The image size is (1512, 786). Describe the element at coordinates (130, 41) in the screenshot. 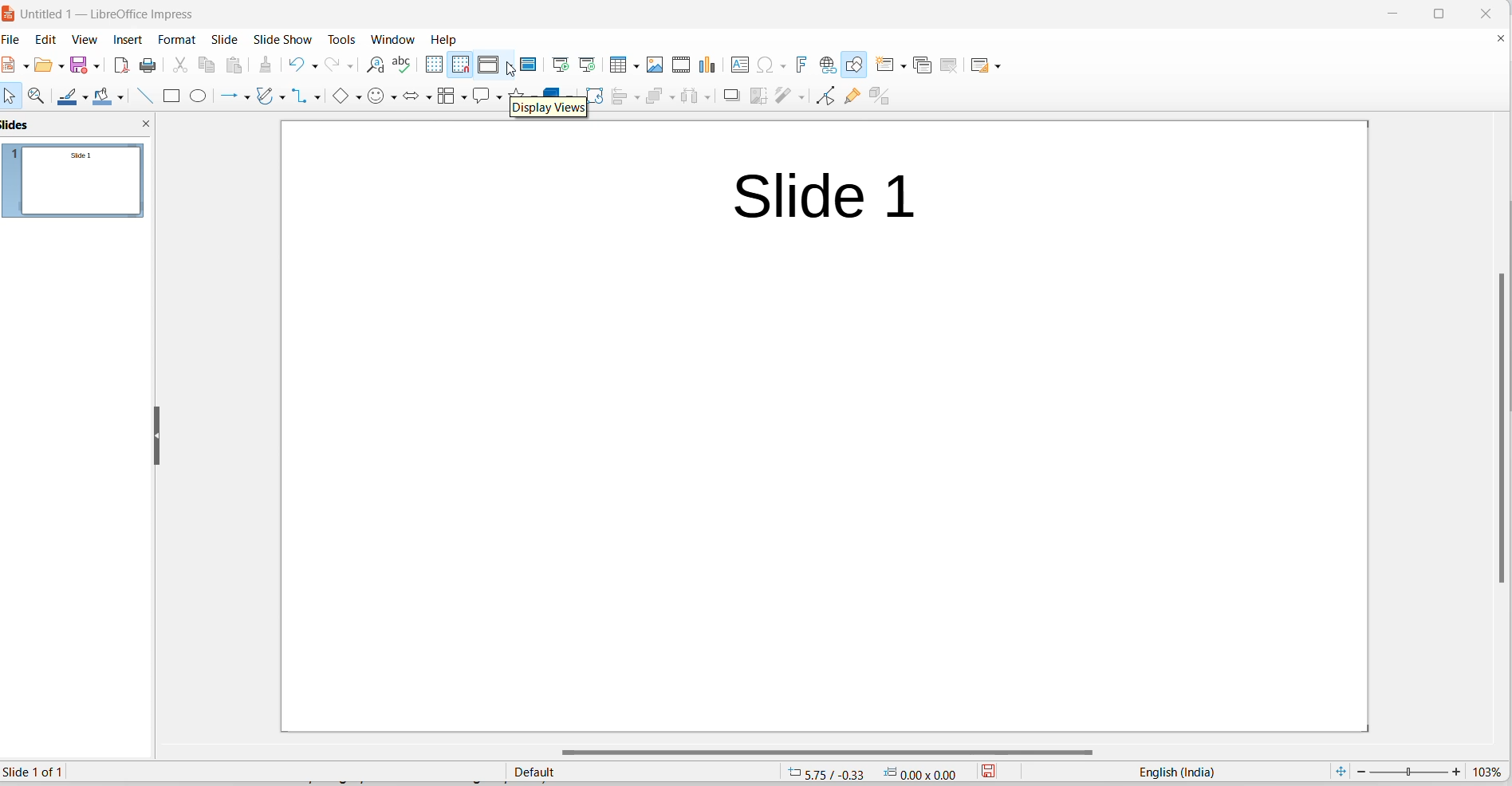

I see `insert` at that location.